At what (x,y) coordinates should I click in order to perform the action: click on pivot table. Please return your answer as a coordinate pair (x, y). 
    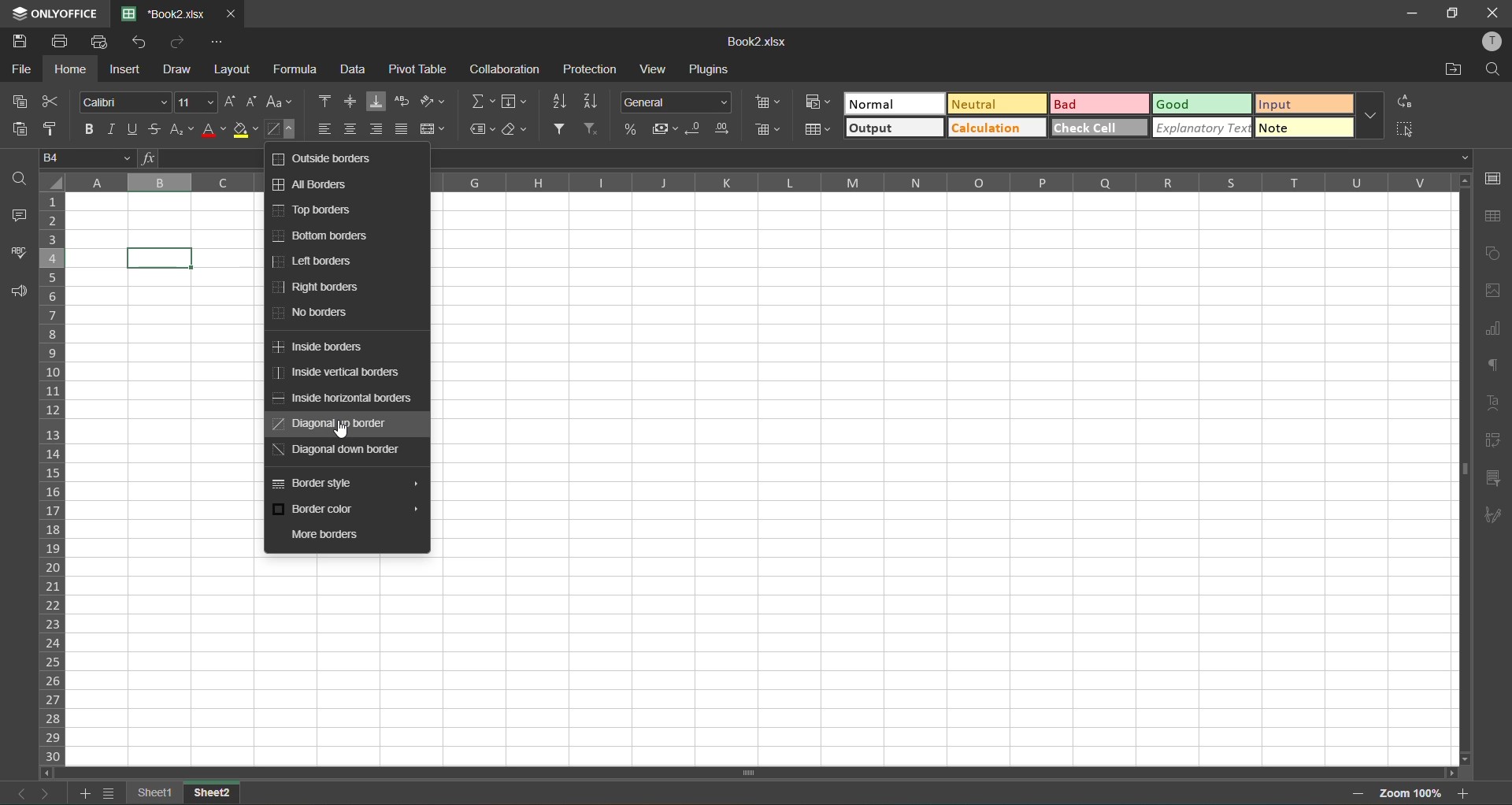
    Looking at the image, I should click on (419, 71).